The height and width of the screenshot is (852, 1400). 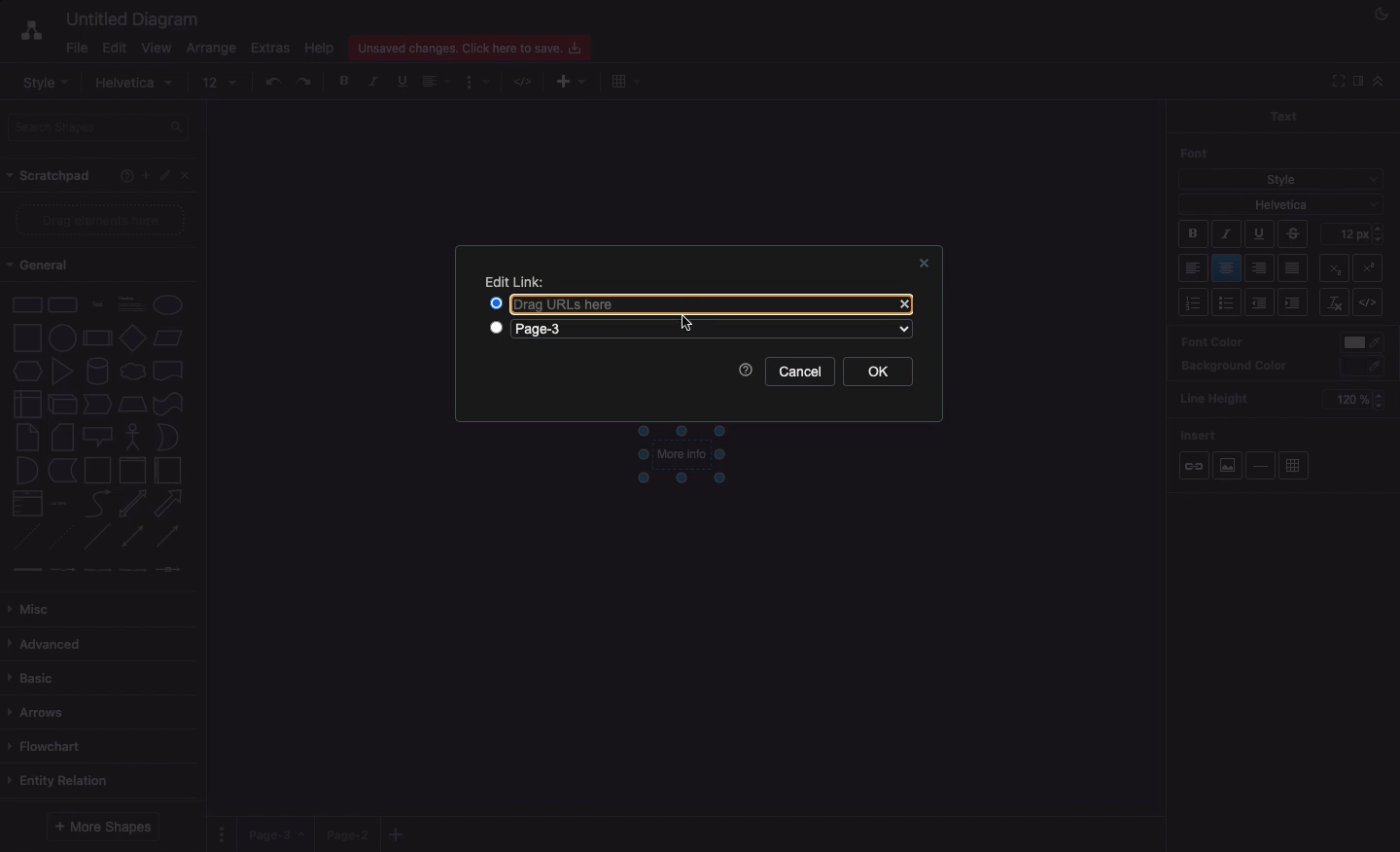 What do you see at coordinates (168, 470) in the screenshot?
I see `horizontal container` at bounding box center [168, 470].